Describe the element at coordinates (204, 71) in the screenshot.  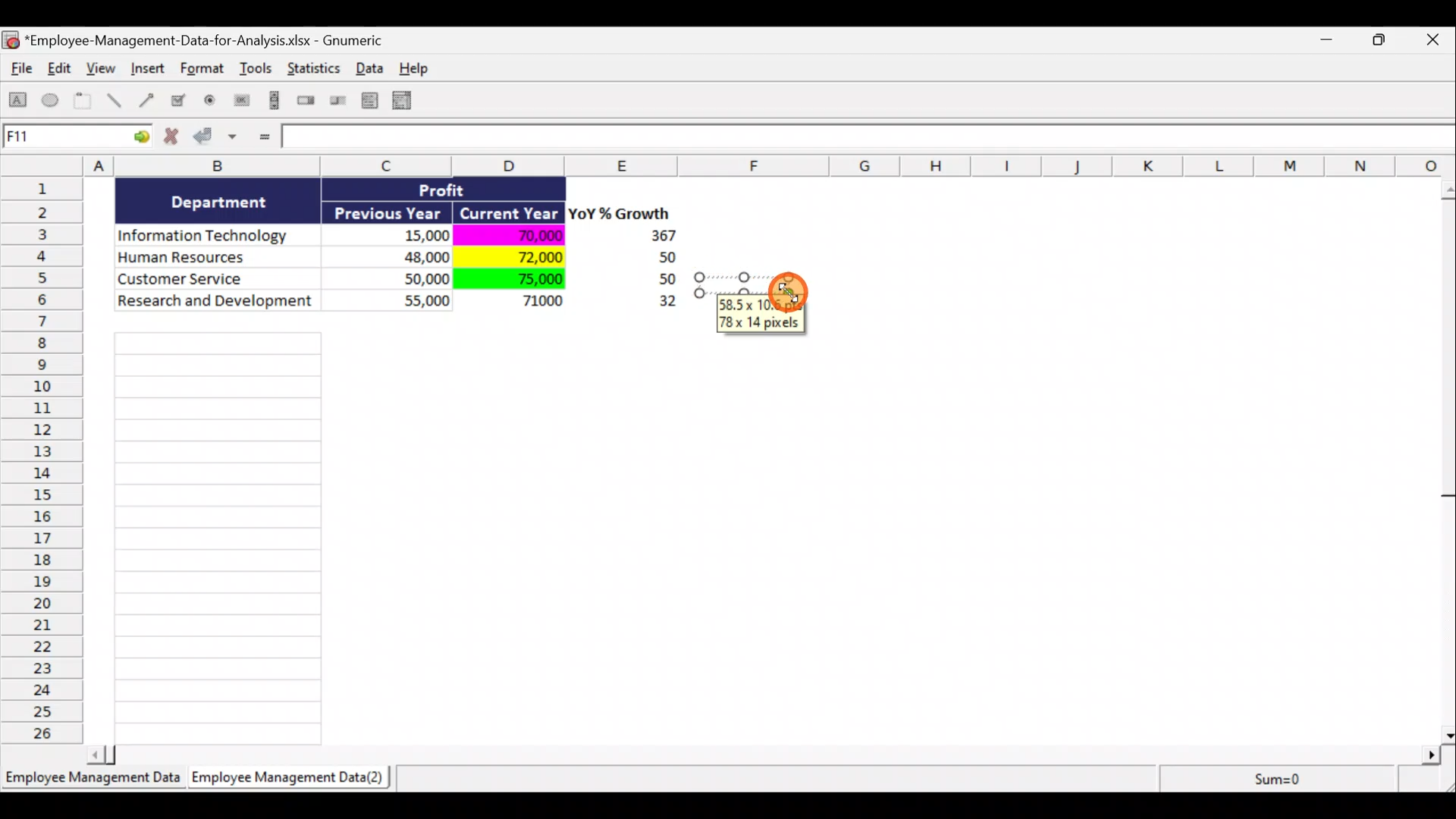
I see `Format` at that location.